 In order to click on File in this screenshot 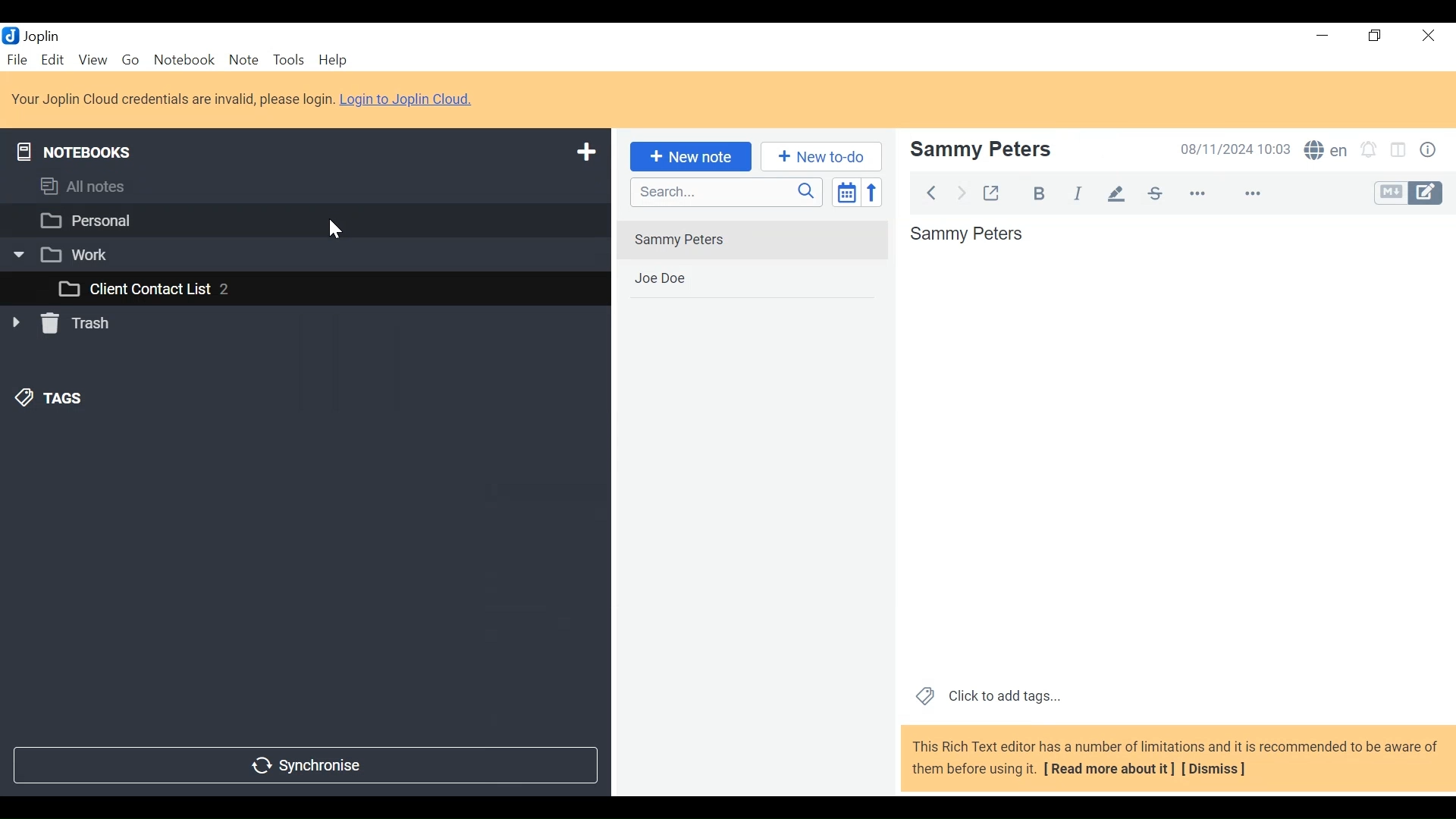, I will do `click(17, 58)`.